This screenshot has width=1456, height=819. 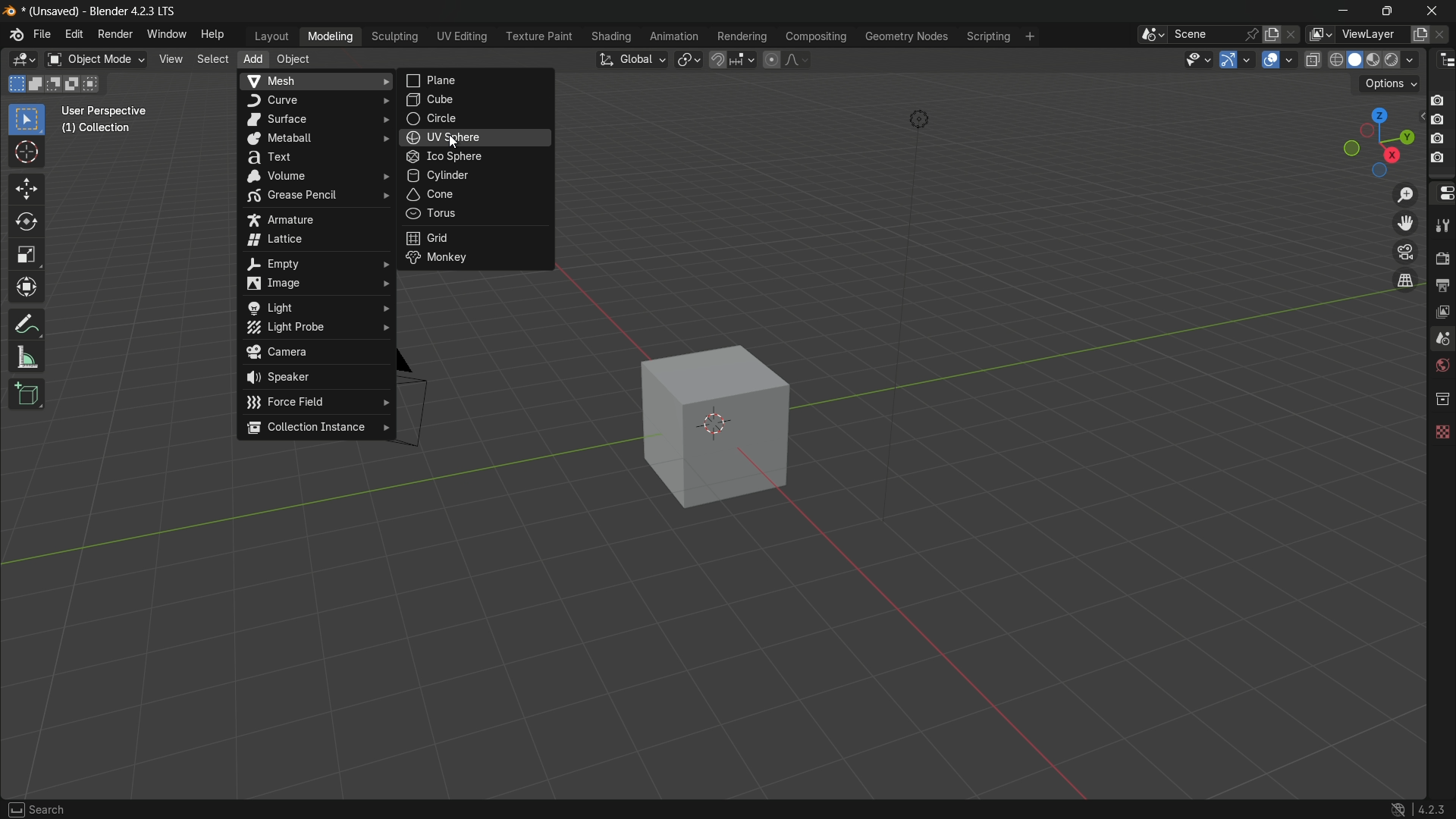 What do you see at coordinates (1335, 60) in the screenshot?
I see `wireframe display` at bounding box center [1335, 60].